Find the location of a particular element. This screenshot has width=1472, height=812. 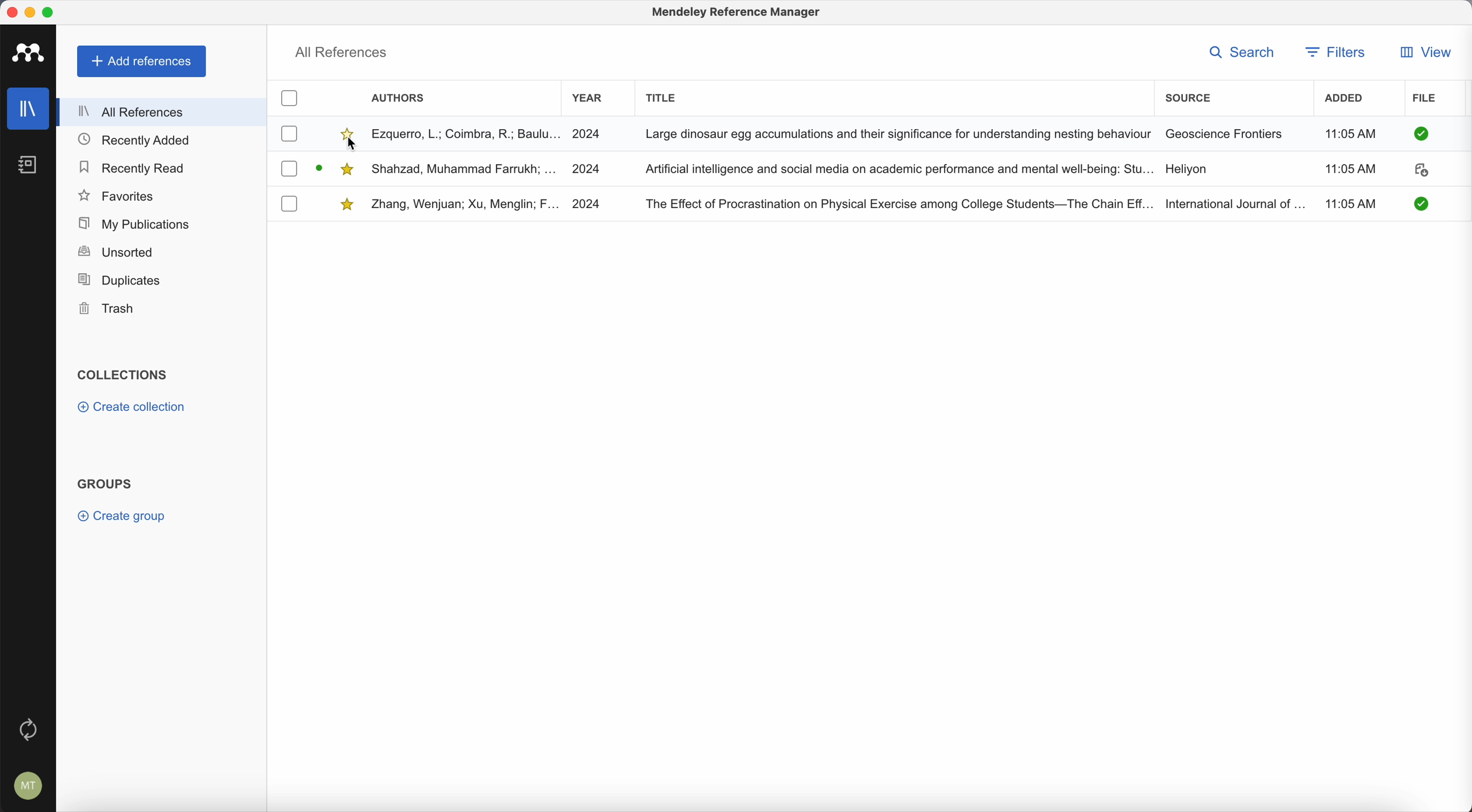

file is located at coordinates (1426, 99).